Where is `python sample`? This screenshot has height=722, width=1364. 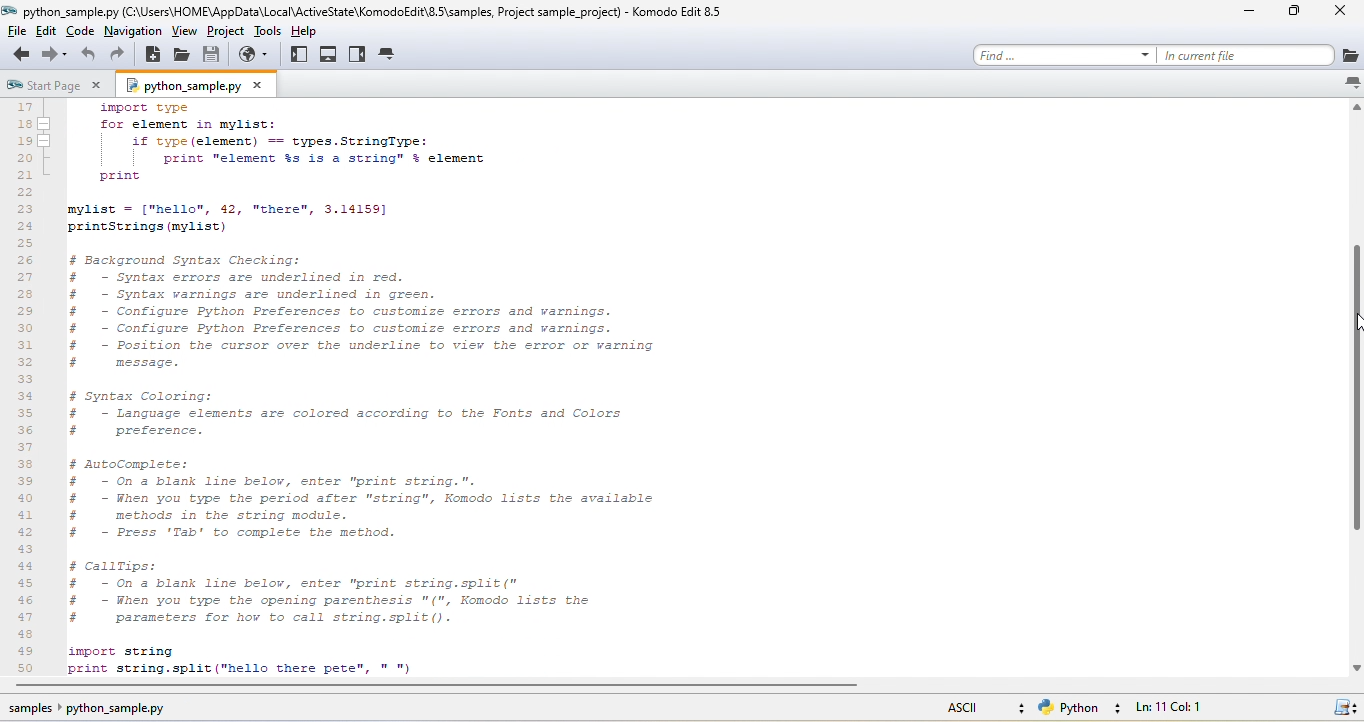 python sample is located at coordinates (199, 84).